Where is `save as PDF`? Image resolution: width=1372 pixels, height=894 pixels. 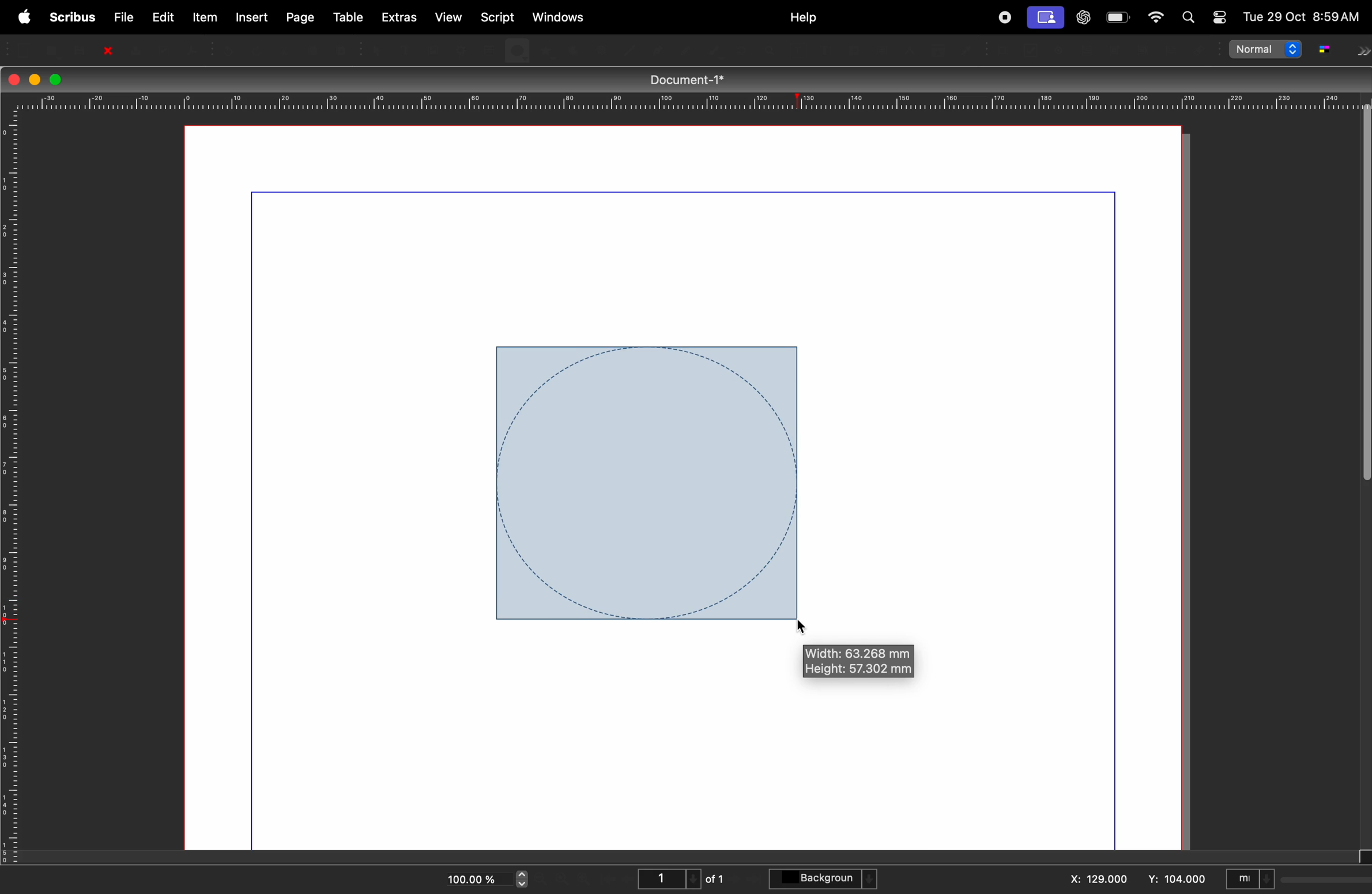
save as PDF is located at coordinates (194, 48).